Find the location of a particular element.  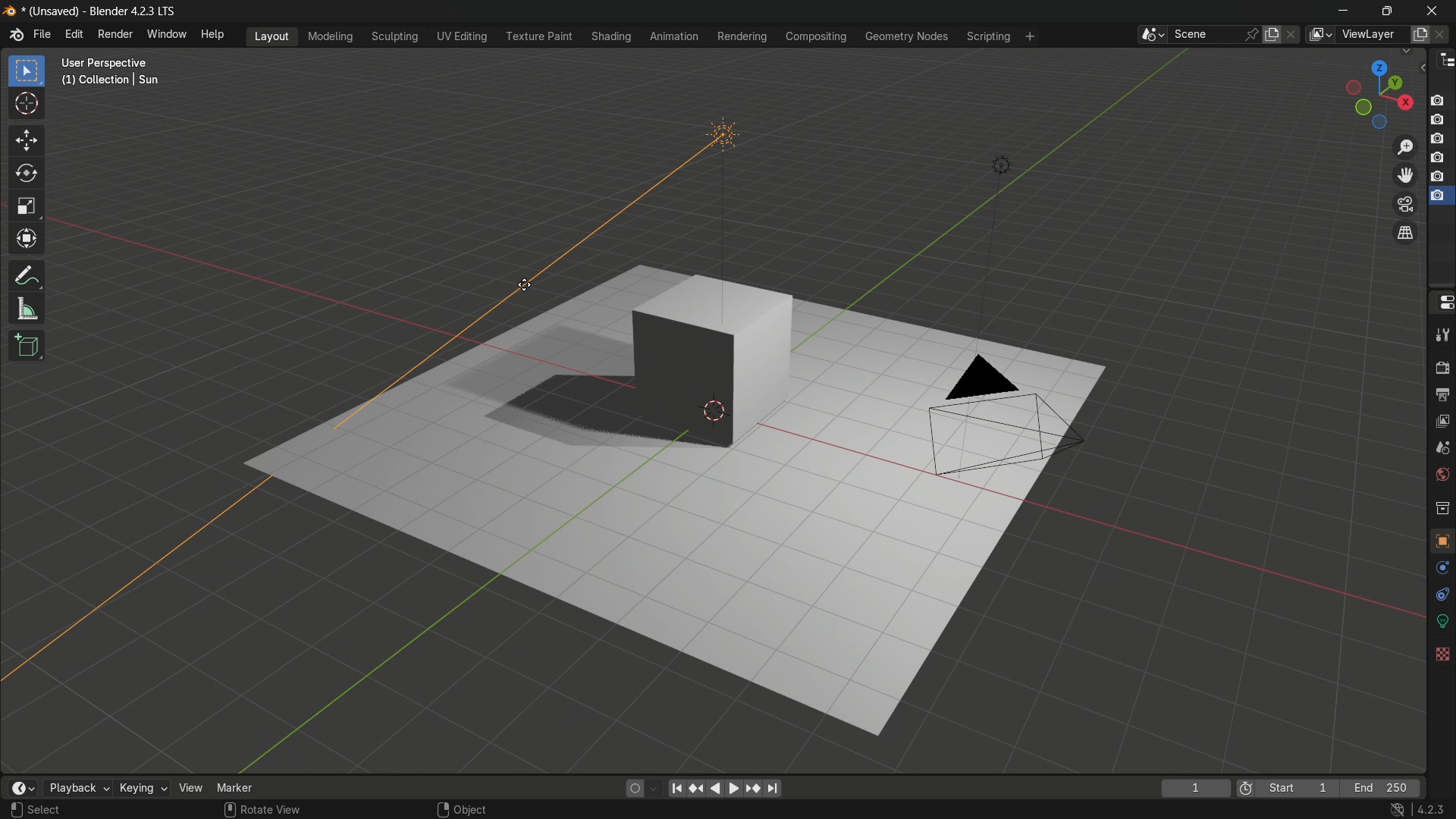

textures is located at coordinates (1441, 653).